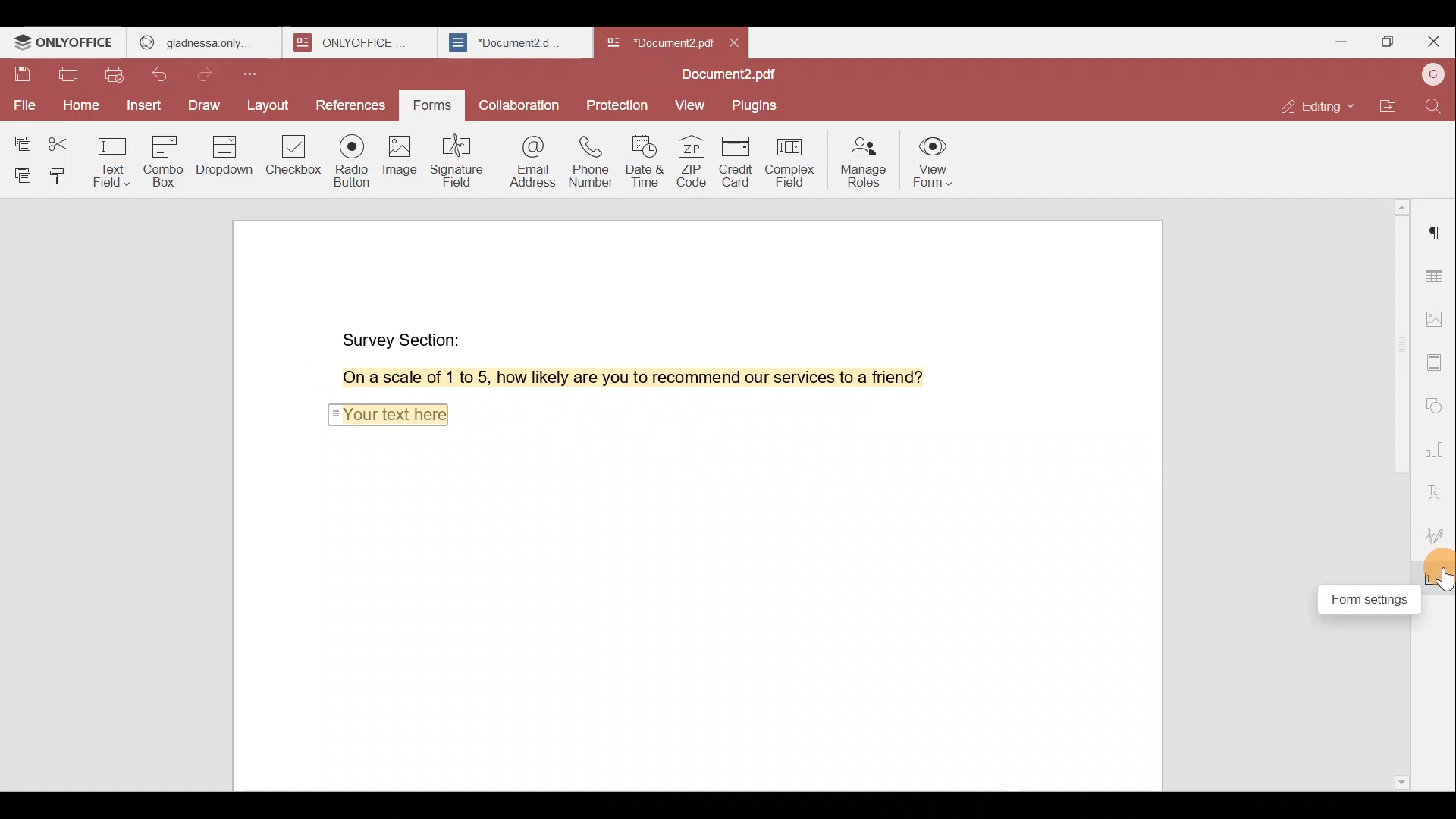 The height and width of the screenshot is (819, 1456). Describe the element at coordinates (295, 160) in the screenshot. I see `Checkbox` at that location.